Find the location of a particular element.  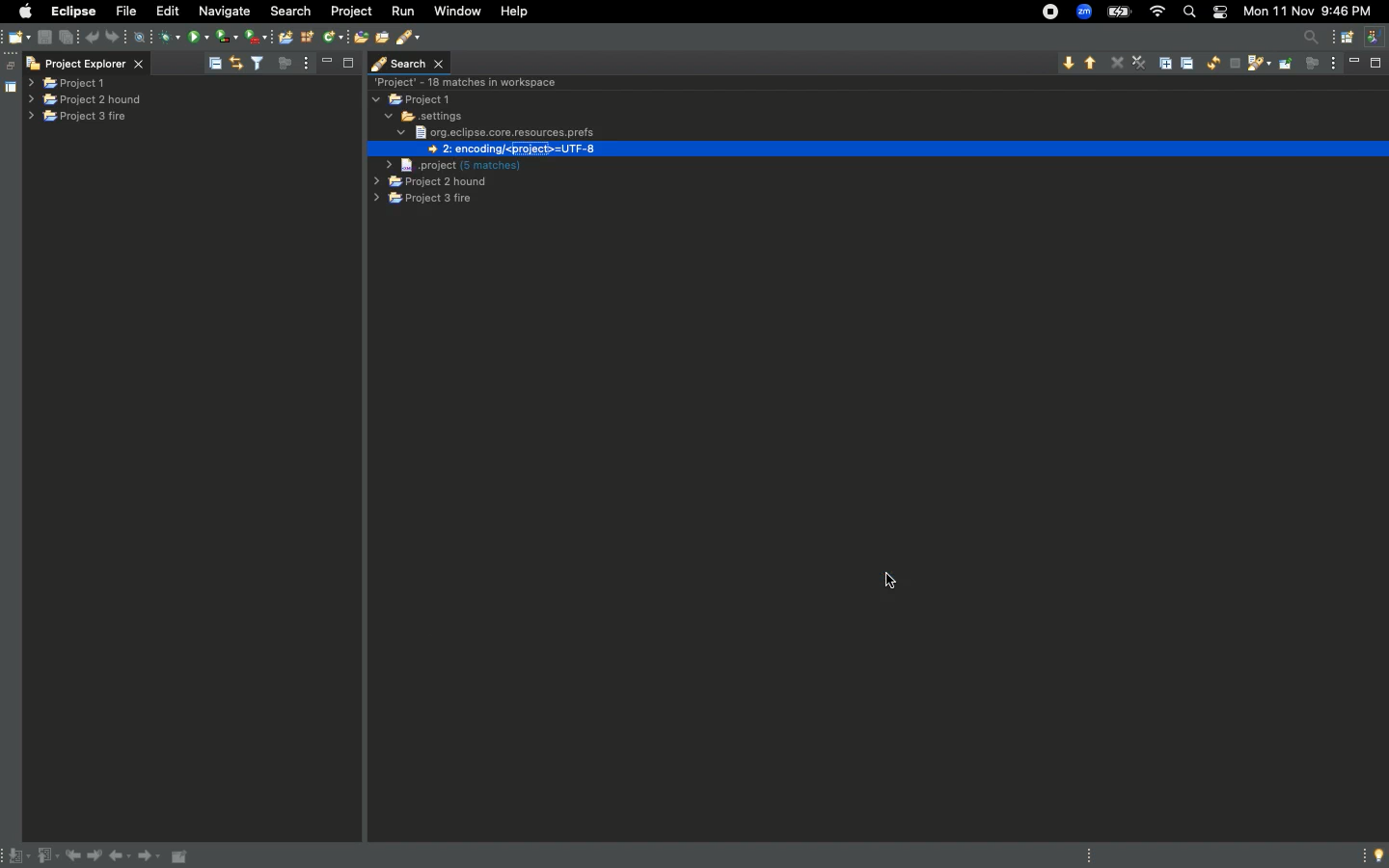

skip all break points is located at coordinates (143, 35).